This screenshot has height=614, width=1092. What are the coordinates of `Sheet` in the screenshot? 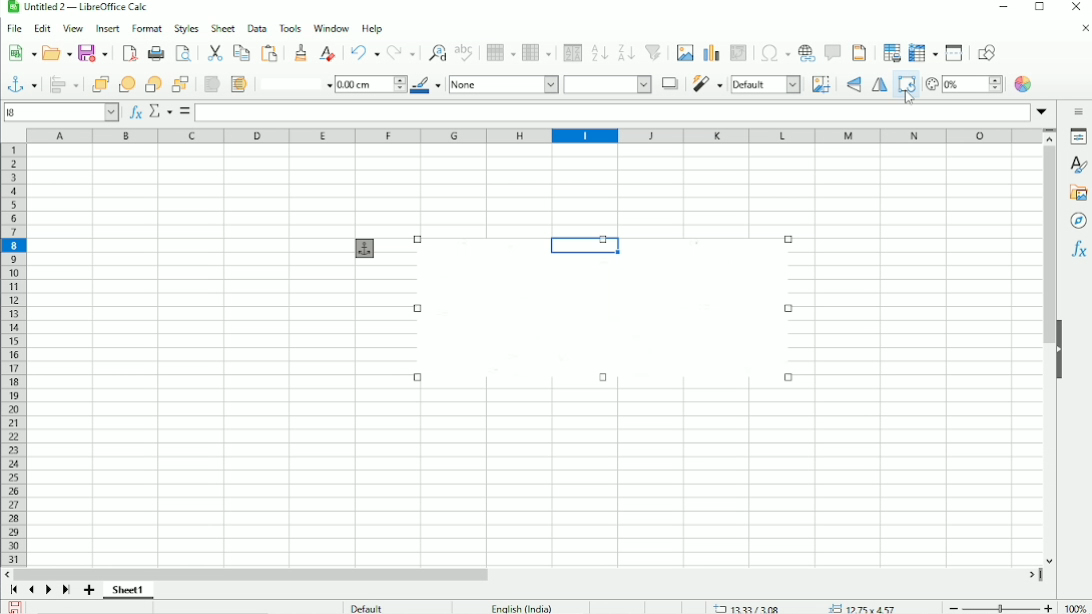 It's located at (222, 28).